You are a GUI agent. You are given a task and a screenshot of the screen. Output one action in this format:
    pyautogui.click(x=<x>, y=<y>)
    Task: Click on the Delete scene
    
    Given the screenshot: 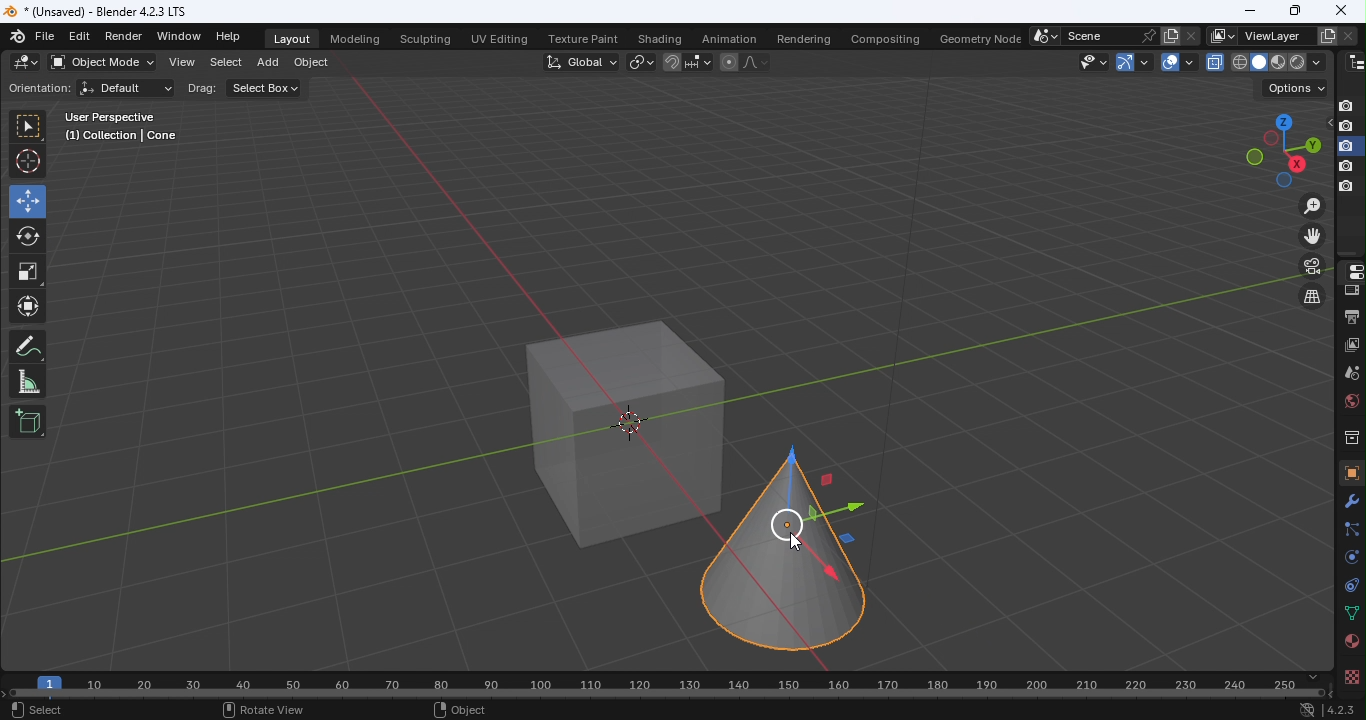 What is the action you would take?
    pyautogui.click(x=1190, y=35)
    